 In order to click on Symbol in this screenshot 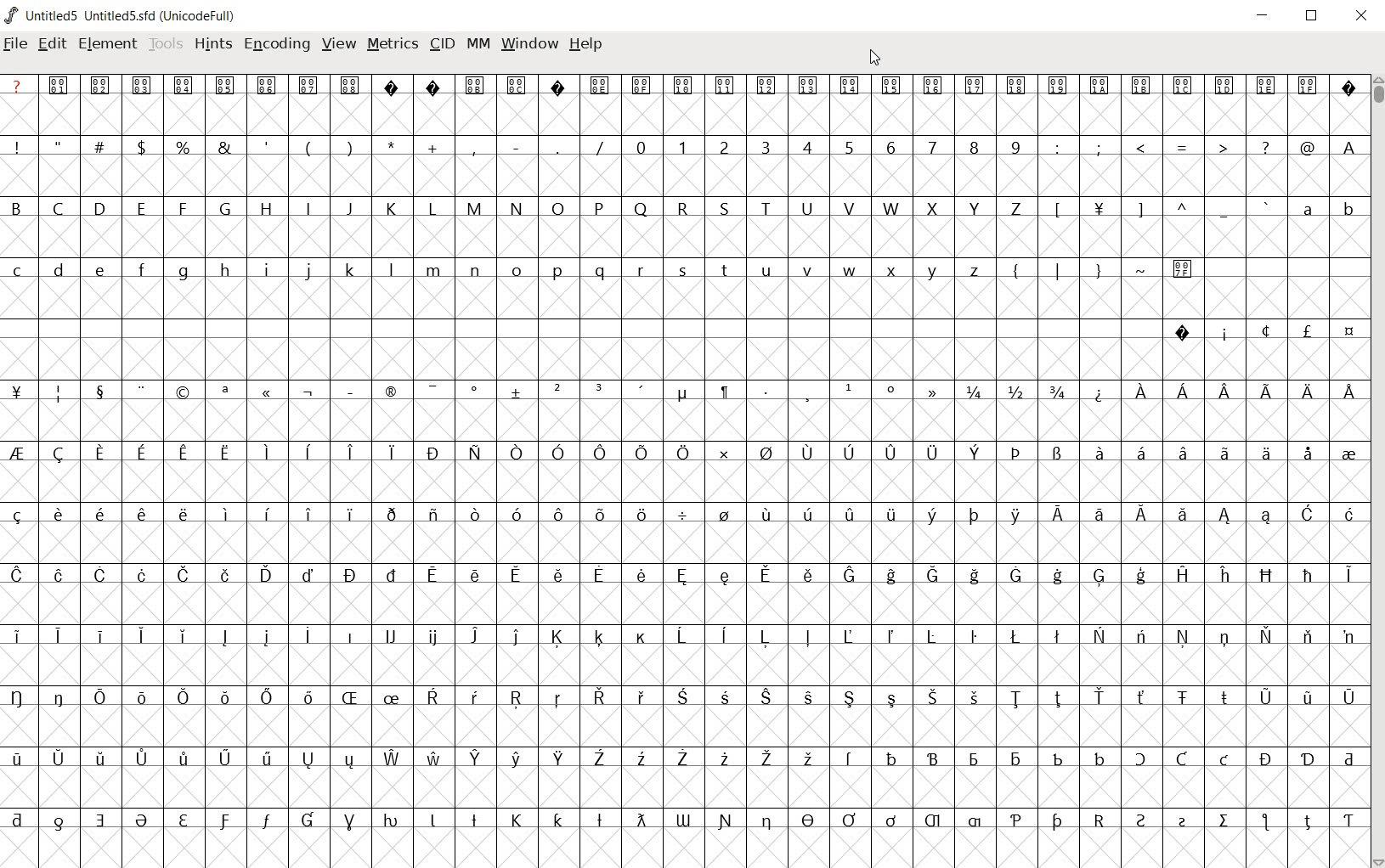, I will do `click(1057, 454)`.